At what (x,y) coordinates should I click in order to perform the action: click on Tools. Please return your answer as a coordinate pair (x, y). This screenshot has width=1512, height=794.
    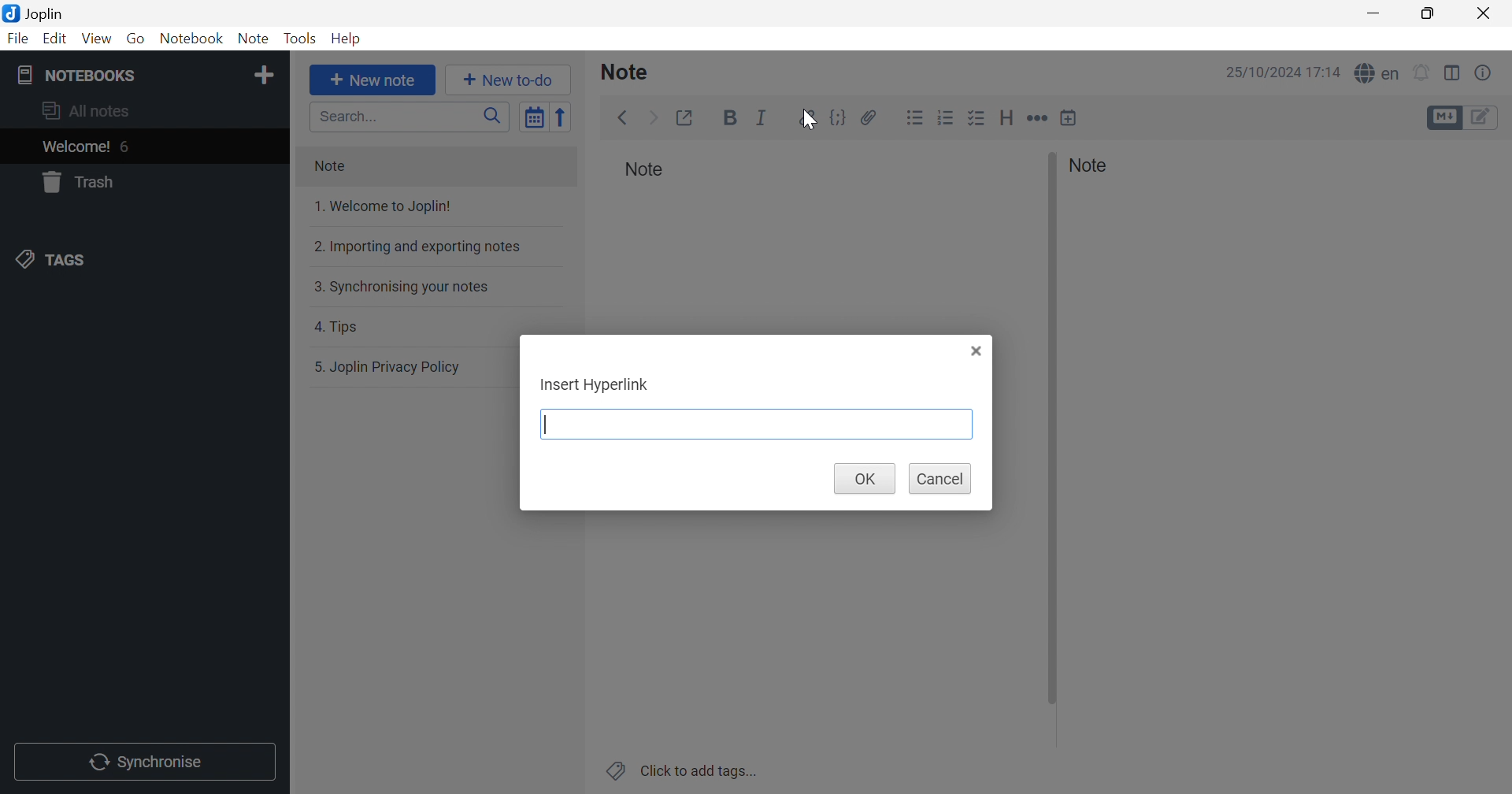
    Looking at the image, I should click on (299, 39).